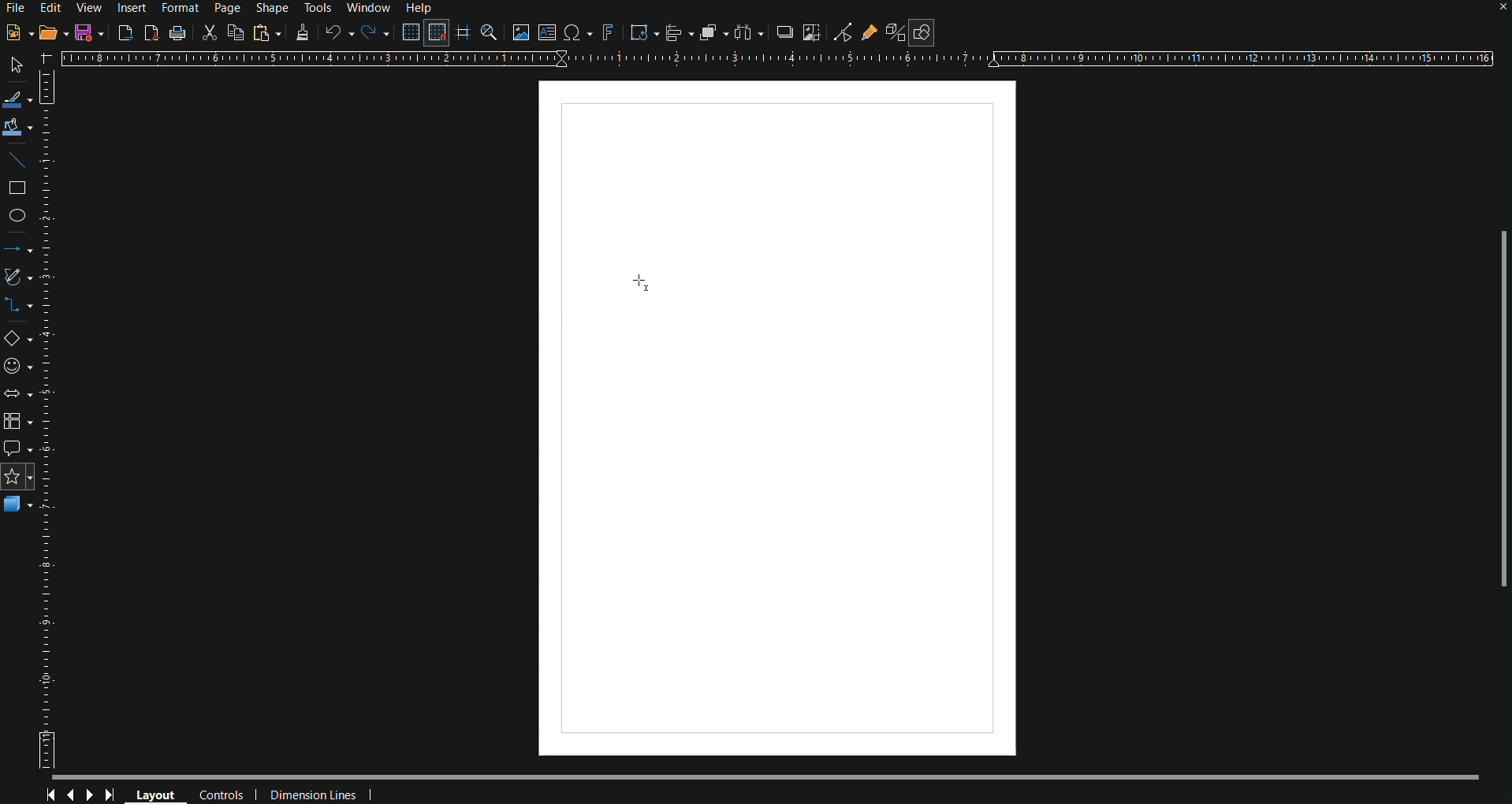 The width and height of the screenshot is (1512, 804). What do you see at coordinates (22, 217) in the screenshot?
I see `Ellipse` at bounding box center [22, 217].